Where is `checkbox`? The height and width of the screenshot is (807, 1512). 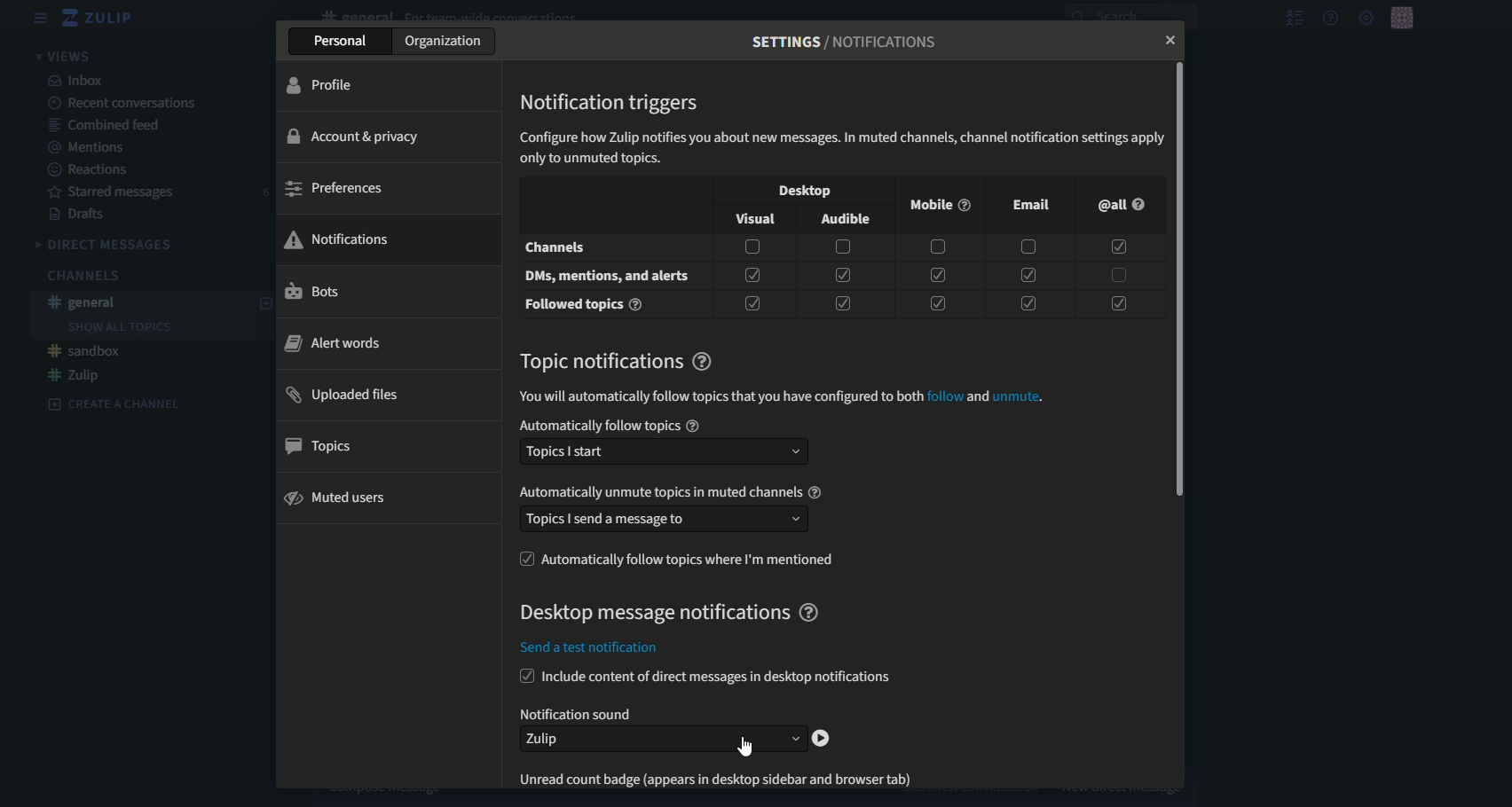
checkbox is located at coordinates (524, 676).